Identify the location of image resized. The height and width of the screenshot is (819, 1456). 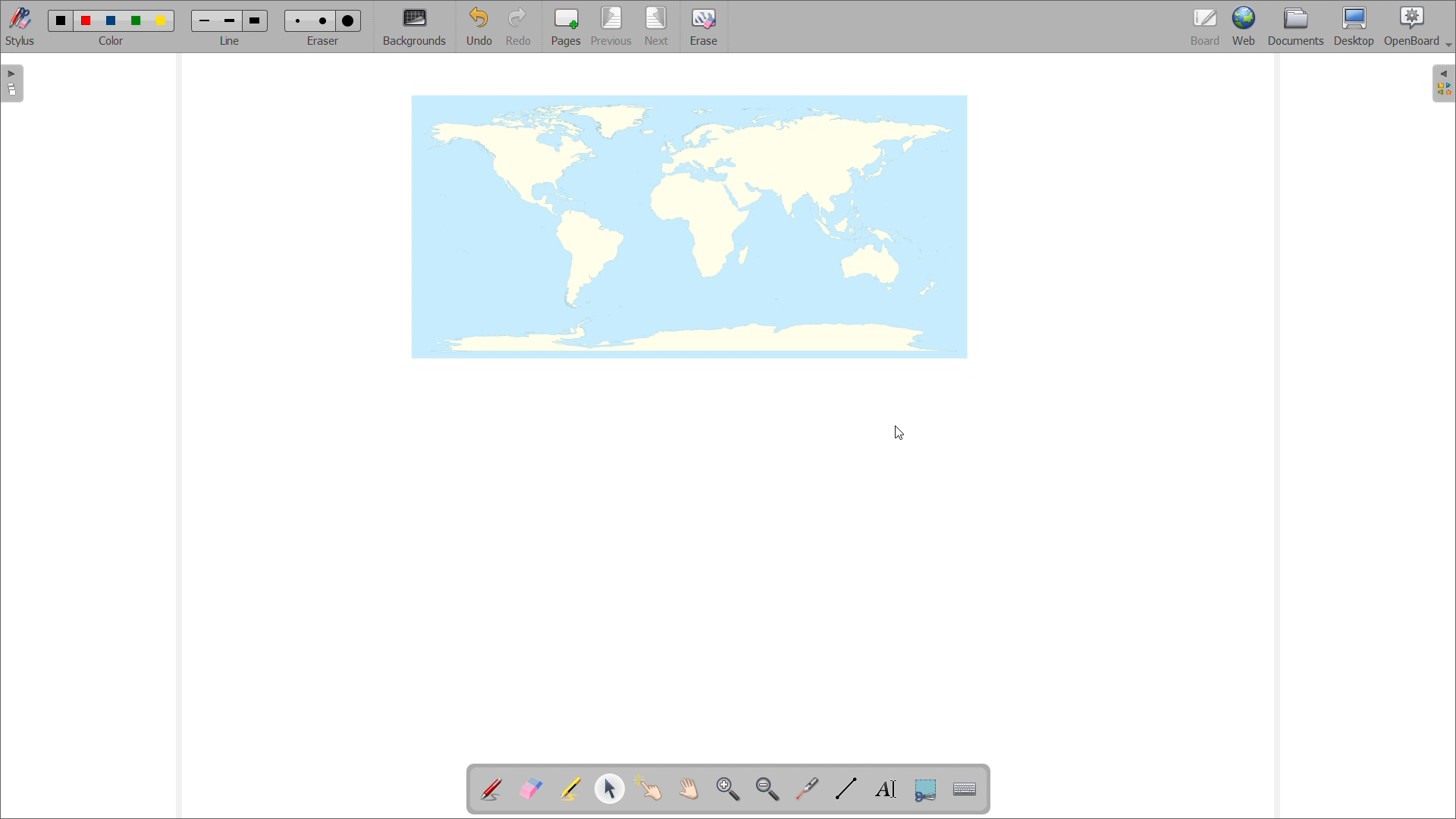
(687, 227).